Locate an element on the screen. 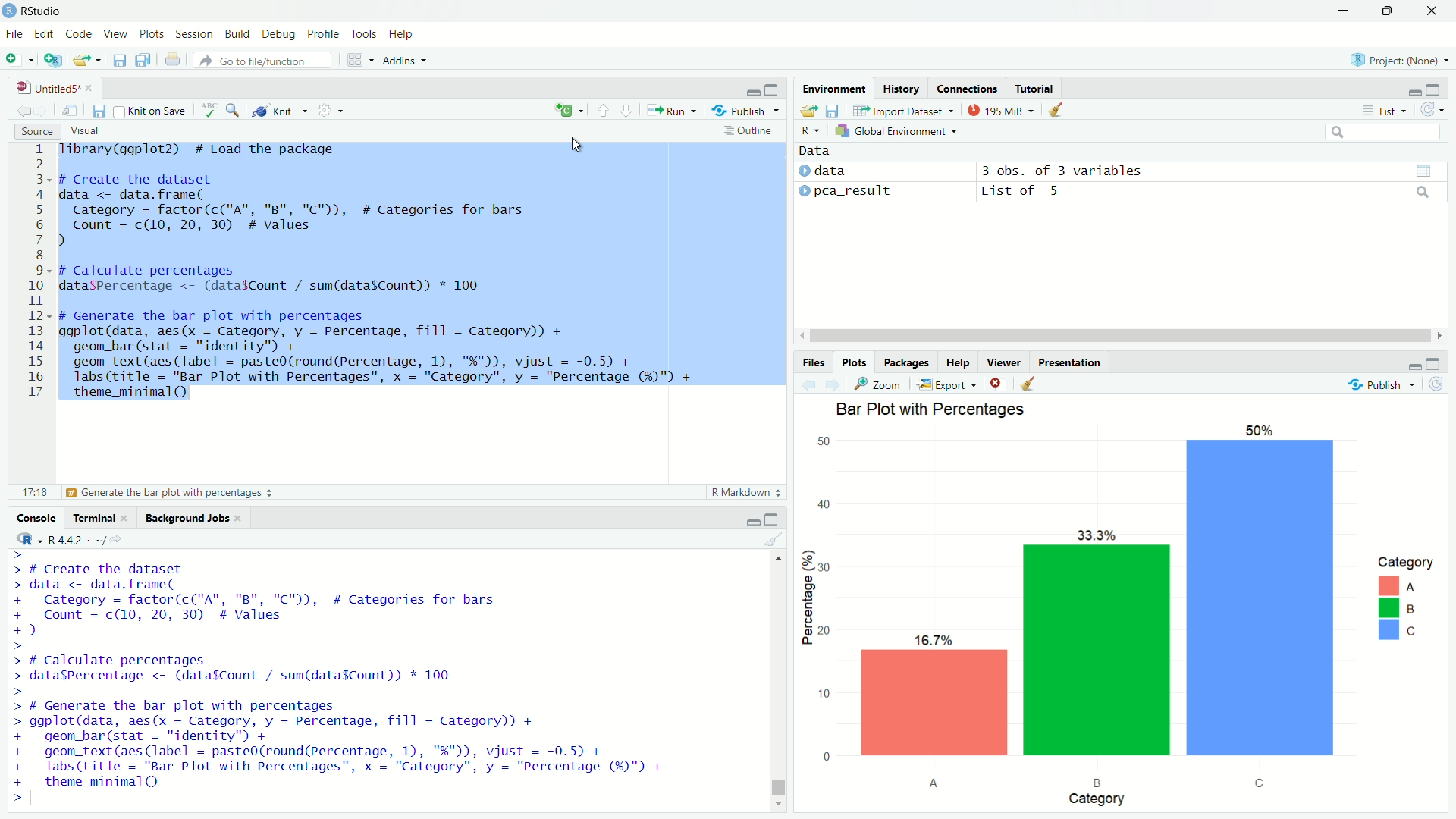 The width and height of the screenshot is (1456, 819). Zoom is located at coordinates (878, 384).